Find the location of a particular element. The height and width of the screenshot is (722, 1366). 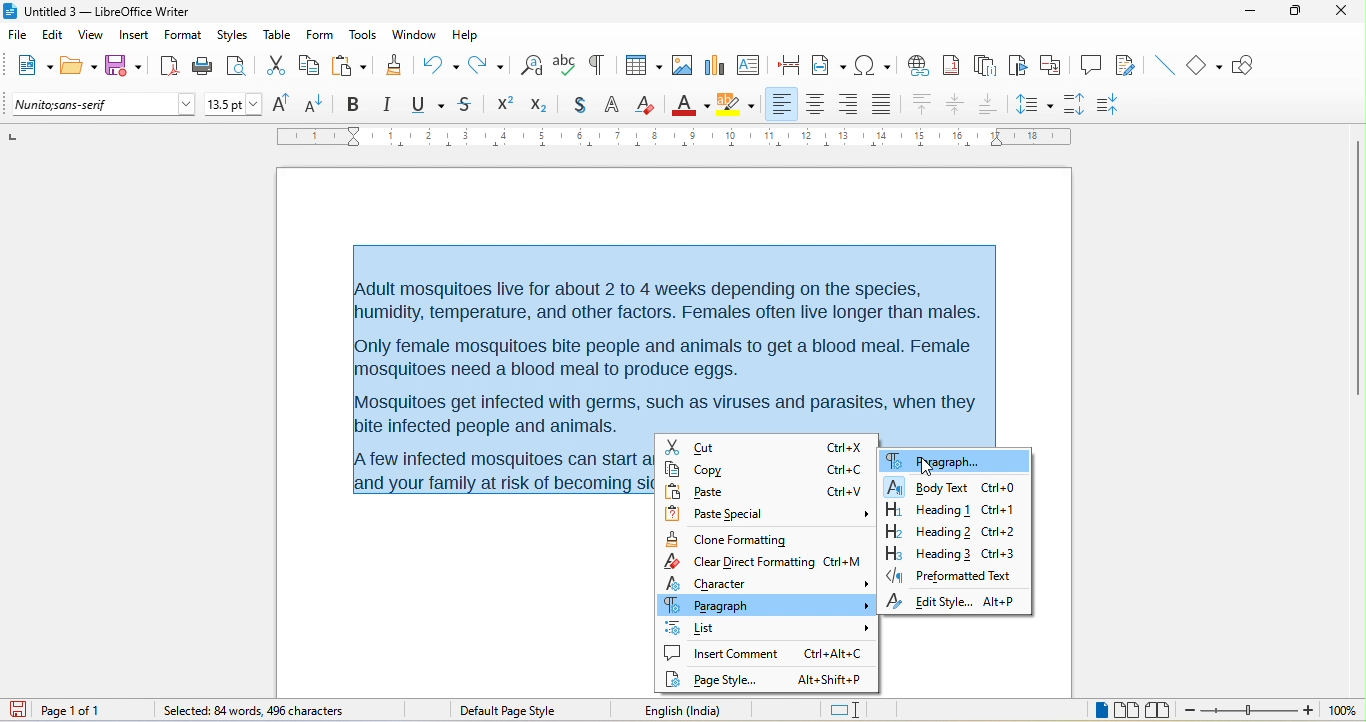

clear direct formatting is located at coordinates (740, 561).